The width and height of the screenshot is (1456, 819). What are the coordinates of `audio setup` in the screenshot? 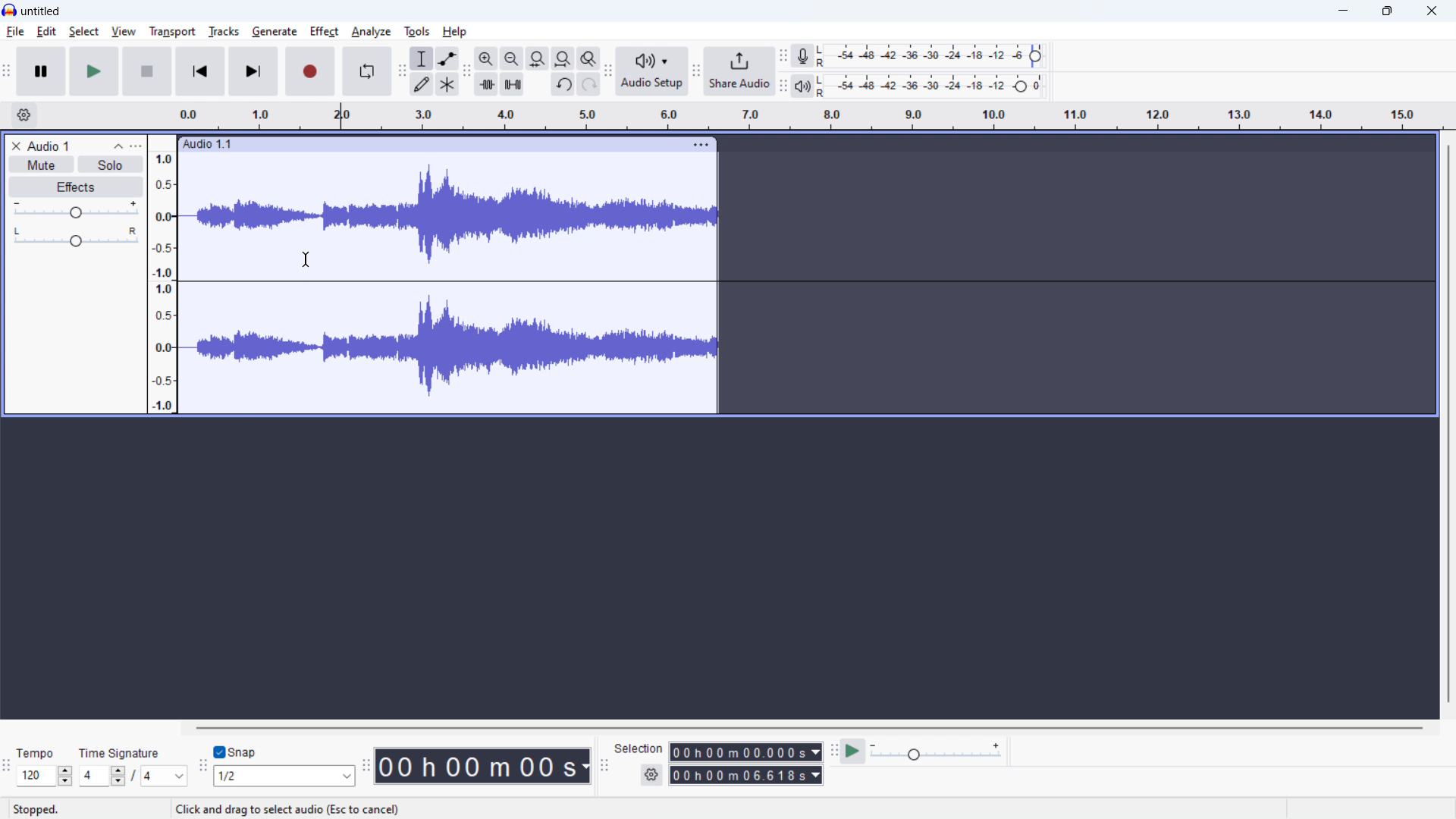 It's located at (652, 71).